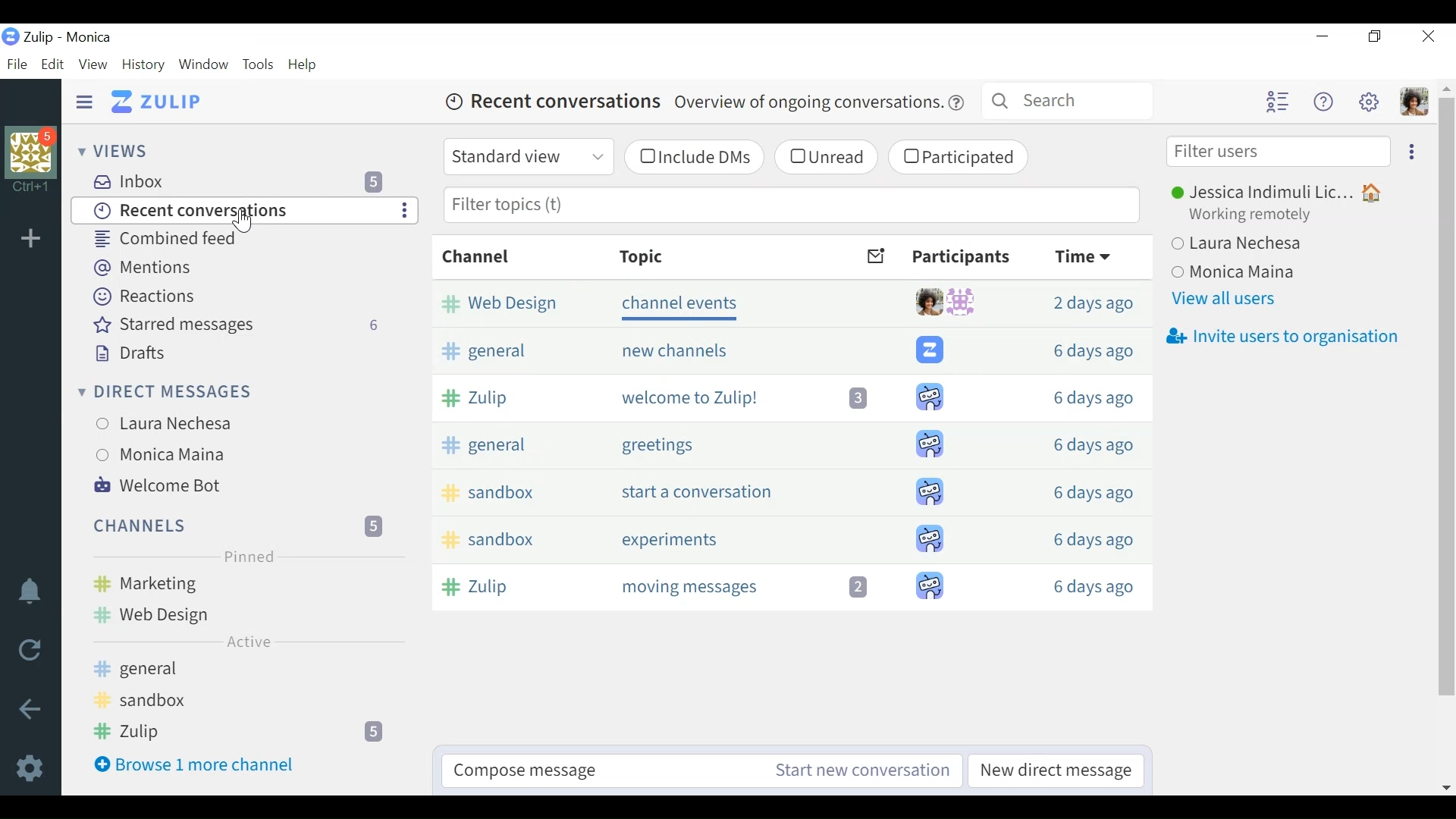  Describe the element at coordinates (19, 64) in the screenshot. I see `File` at that location.